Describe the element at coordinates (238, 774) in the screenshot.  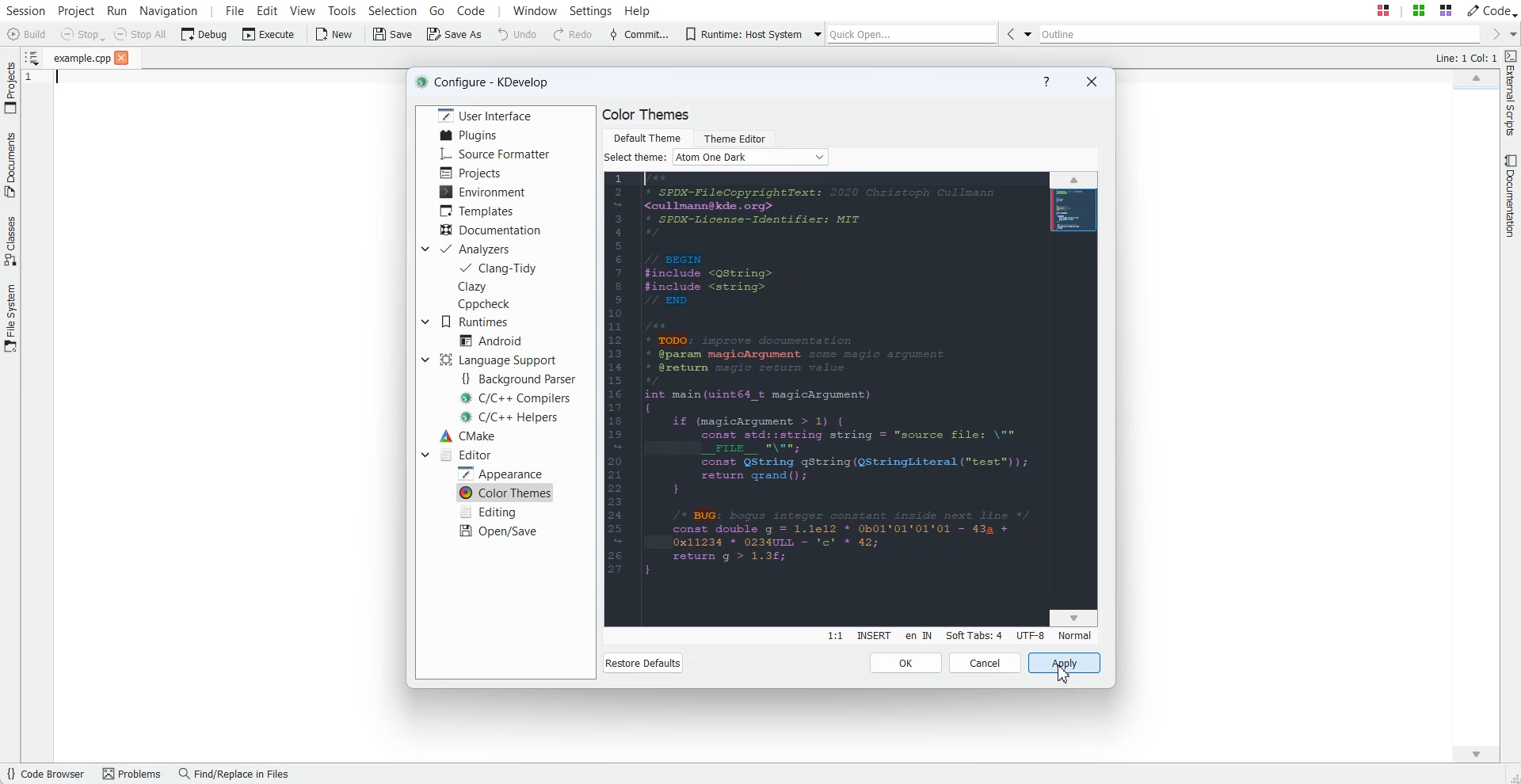
I see `Find/Replace in files` at that location.